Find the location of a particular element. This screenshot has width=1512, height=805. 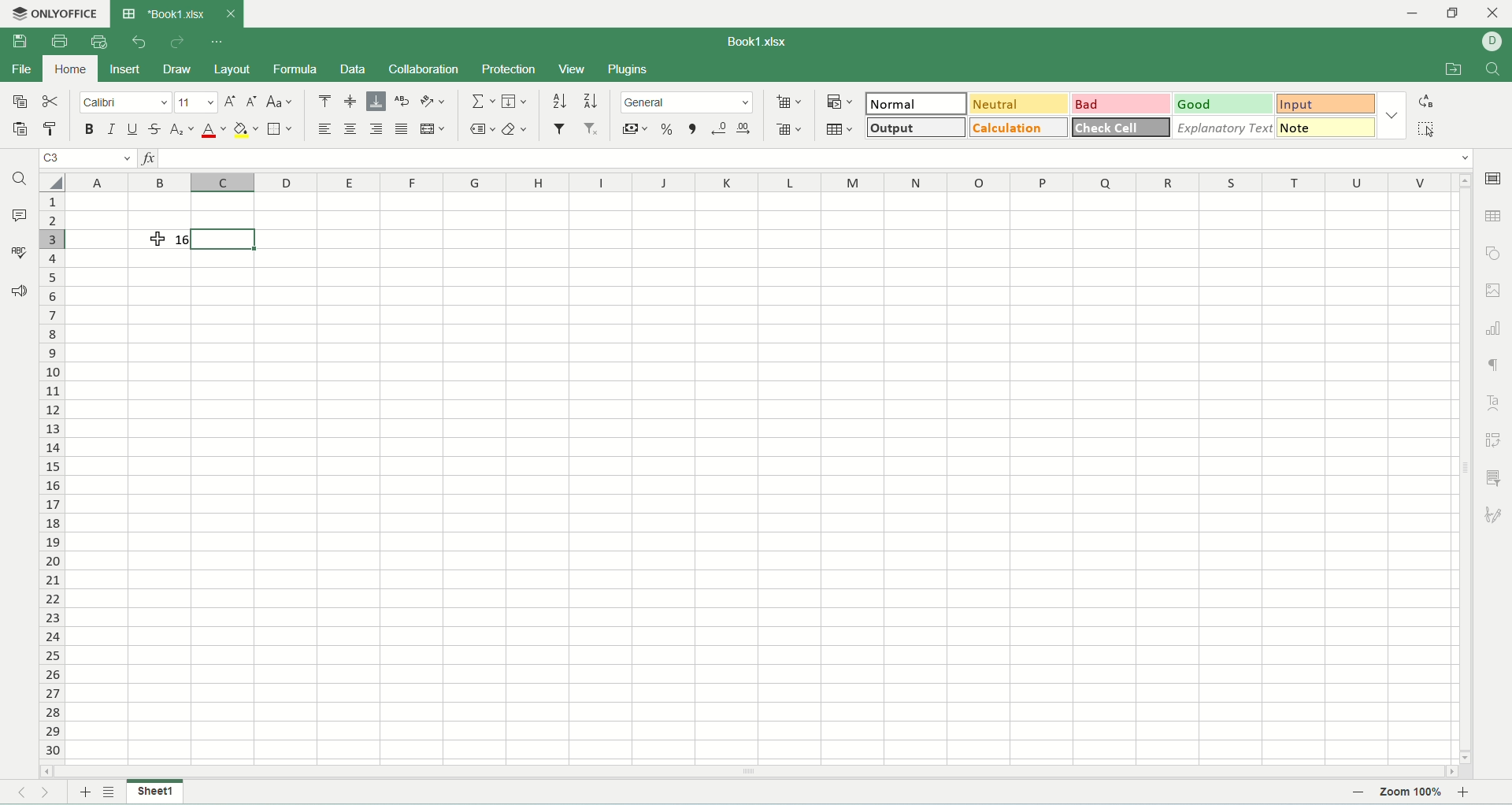

Book1.xlsx is located at coordinates (767, 40).